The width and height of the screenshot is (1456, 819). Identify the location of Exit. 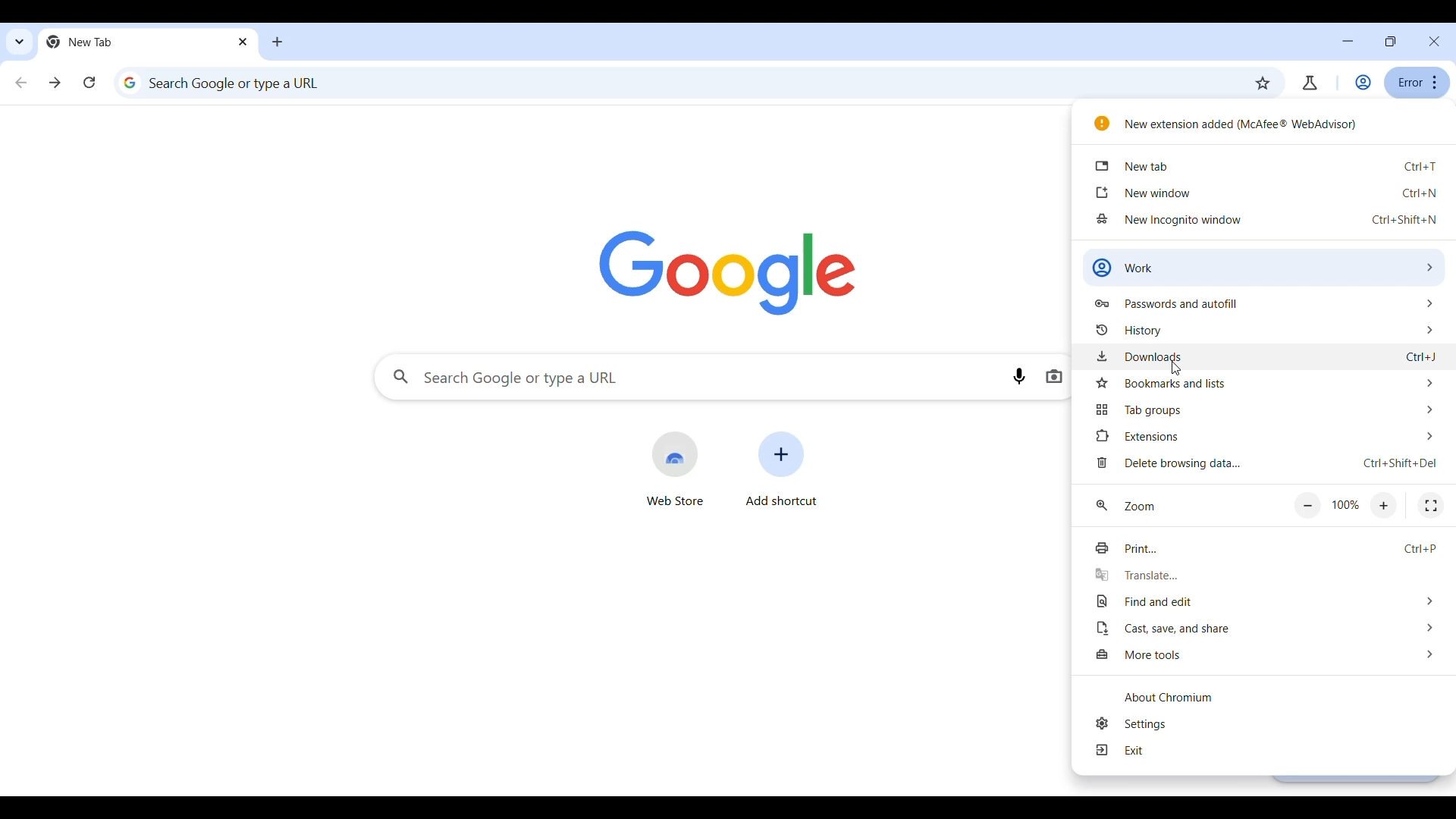
(1263, 750).